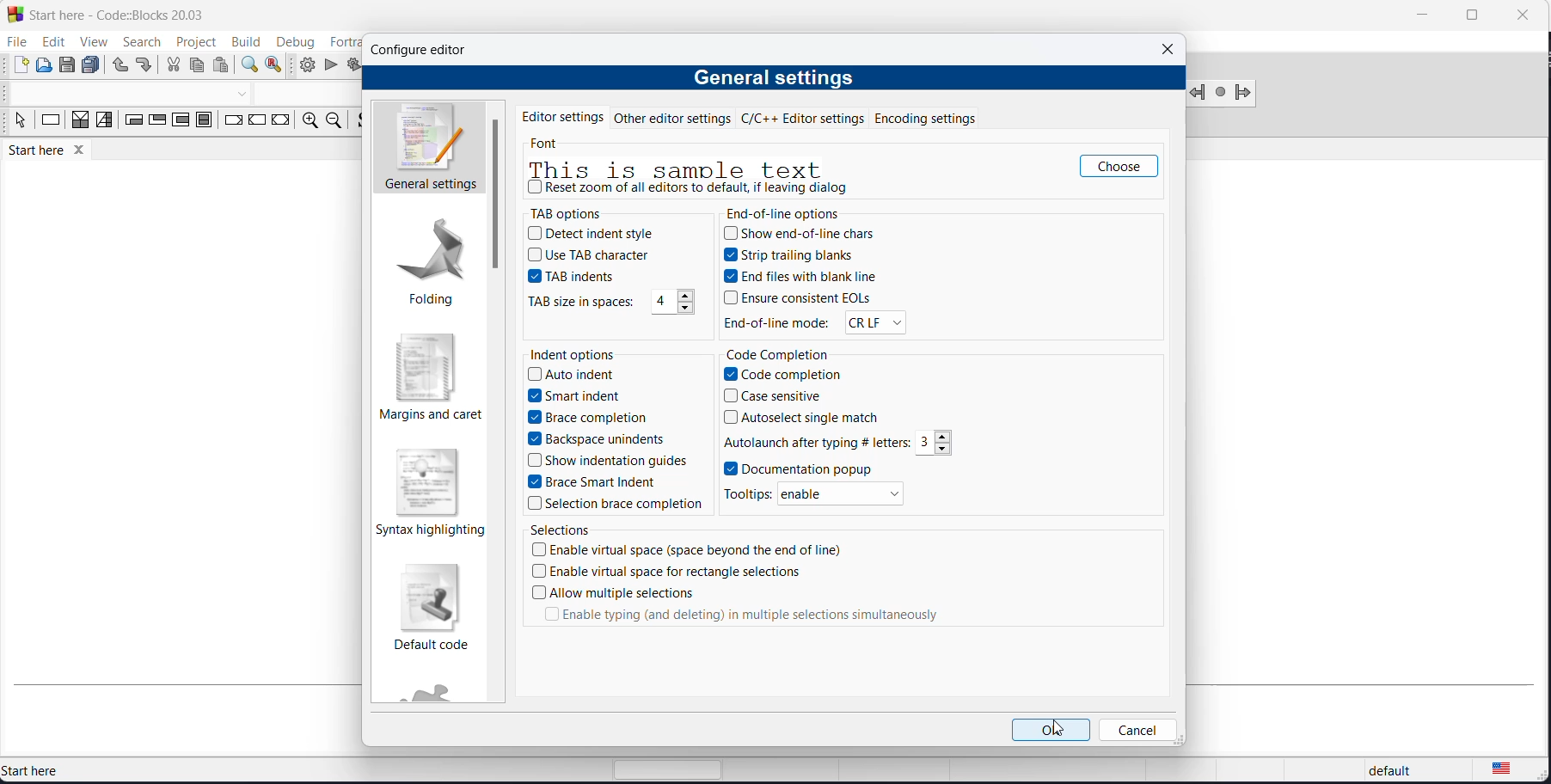 The width and height of the screenshot is (1551, 784). I want to click on cancel, so click(1136, 730).